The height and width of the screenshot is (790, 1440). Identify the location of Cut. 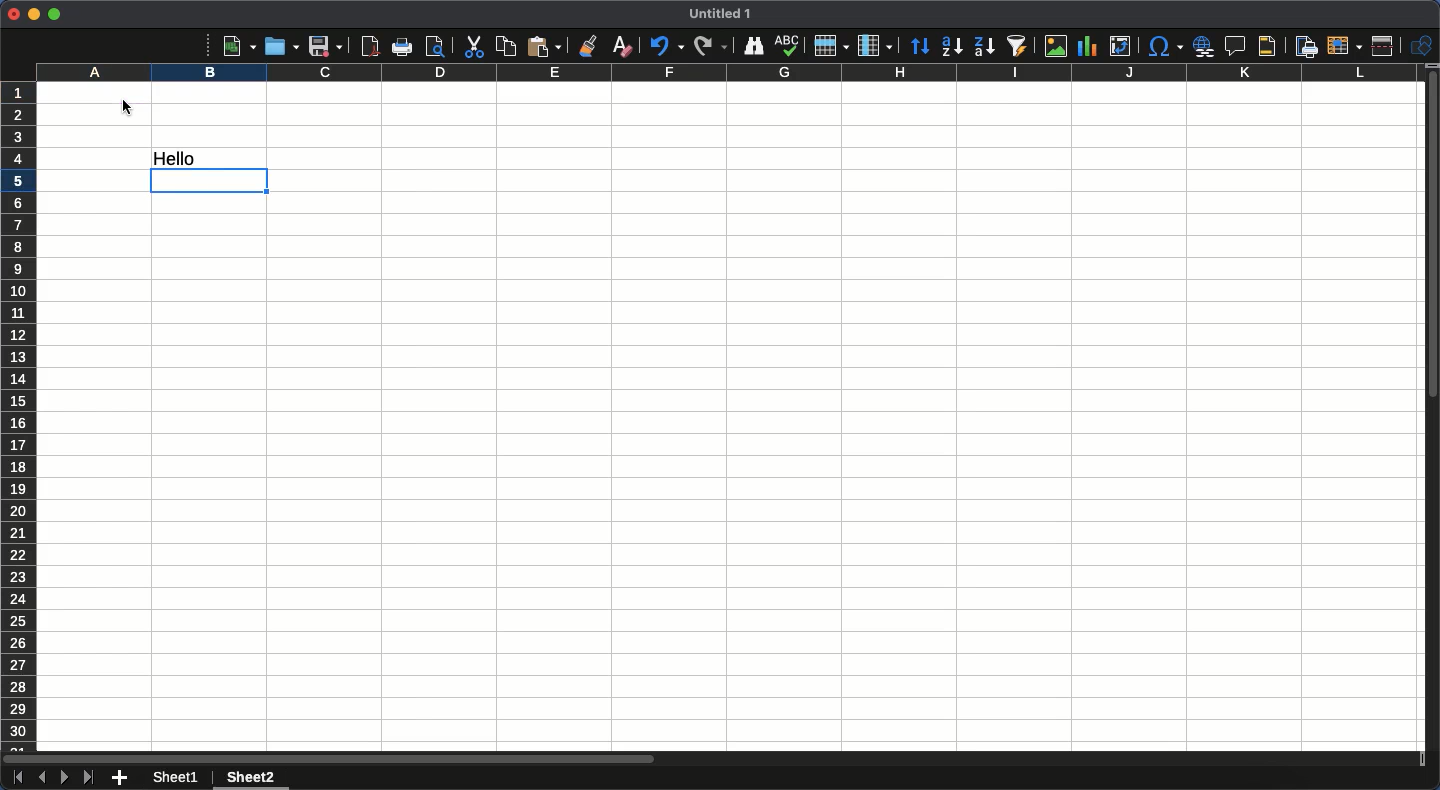
(472, 47).